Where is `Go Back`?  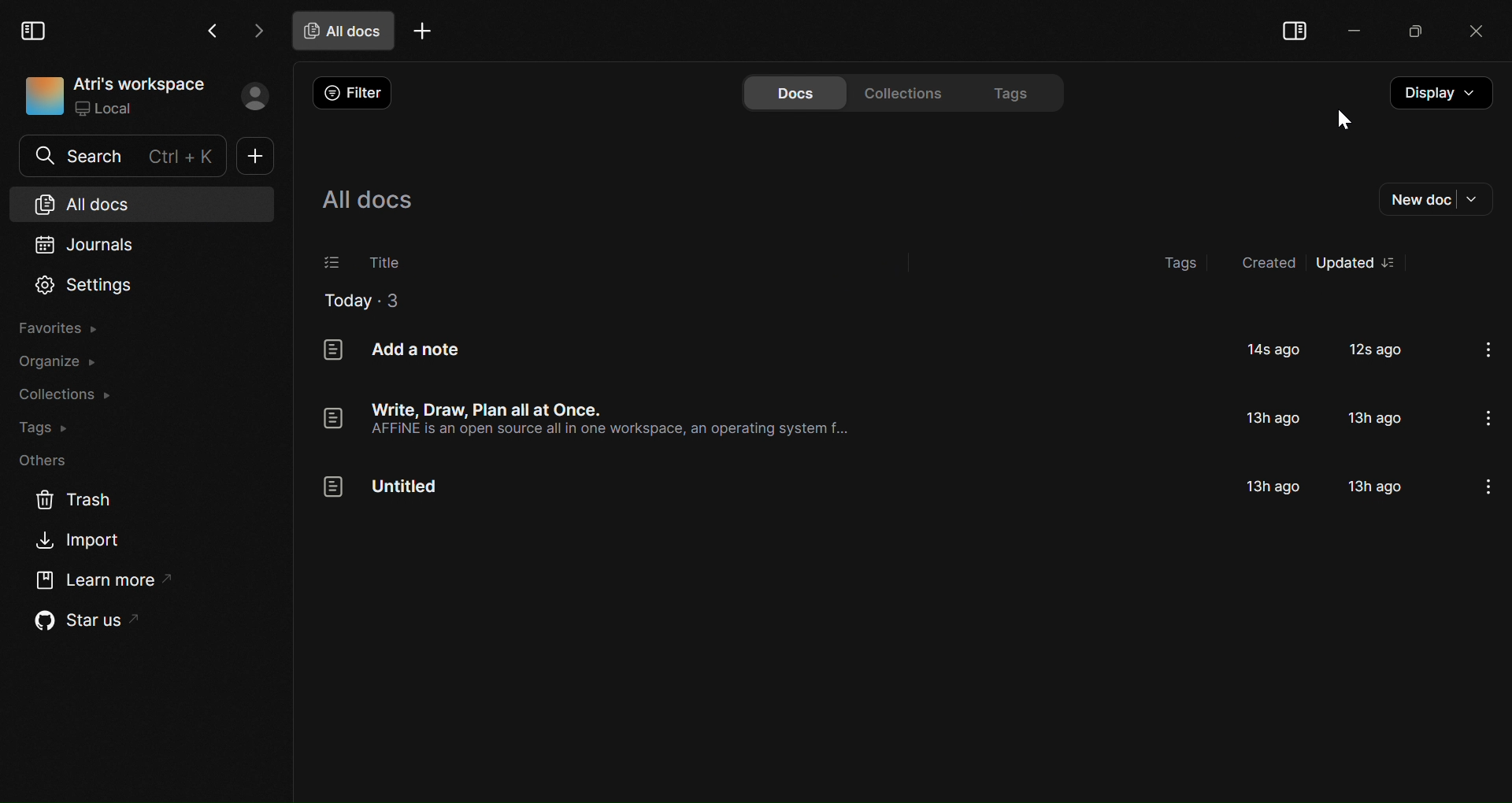 Go Back is located at coordinates (213, 31).